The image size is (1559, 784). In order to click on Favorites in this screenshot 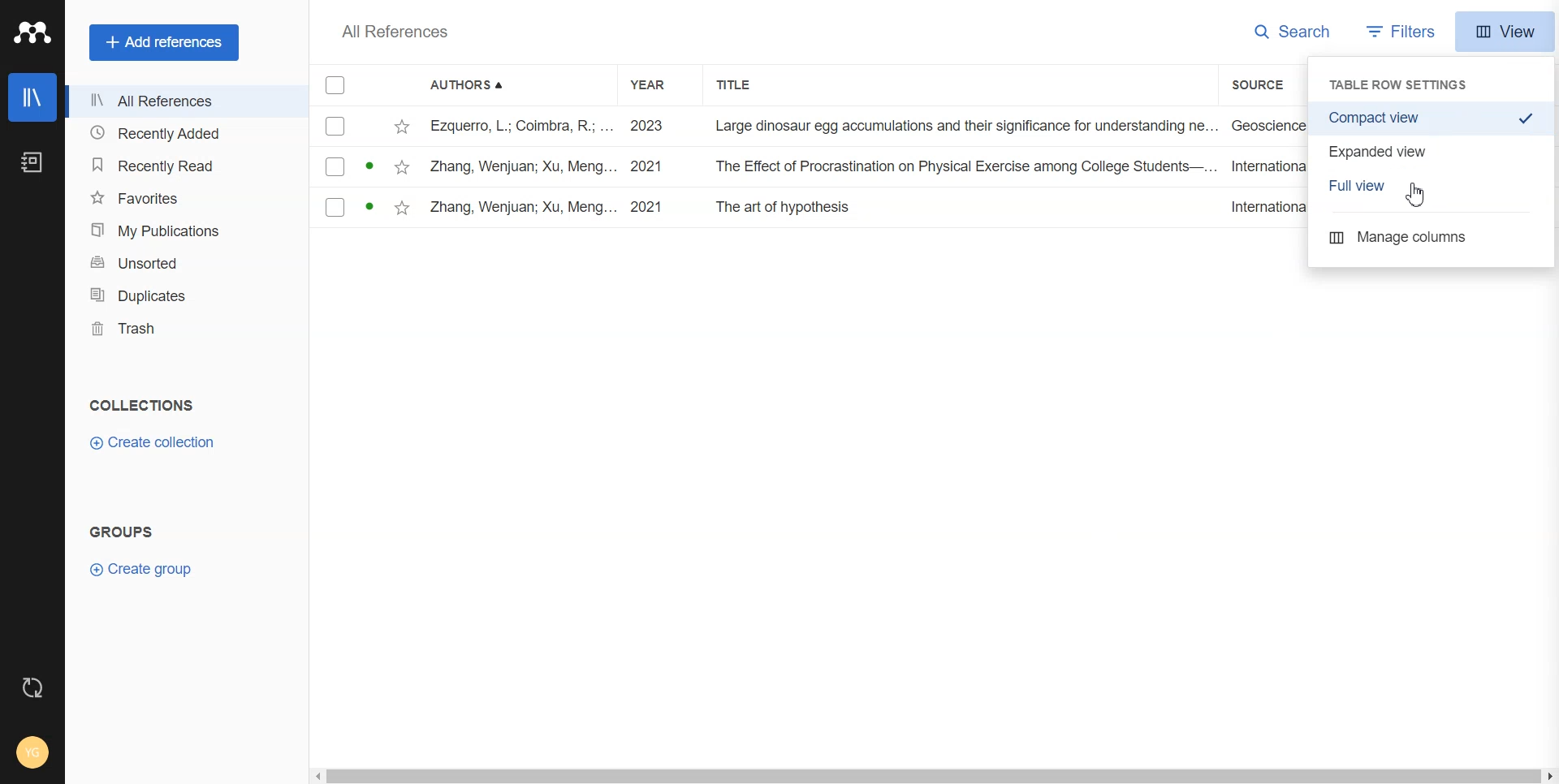, I will do `click(171, 198)`.